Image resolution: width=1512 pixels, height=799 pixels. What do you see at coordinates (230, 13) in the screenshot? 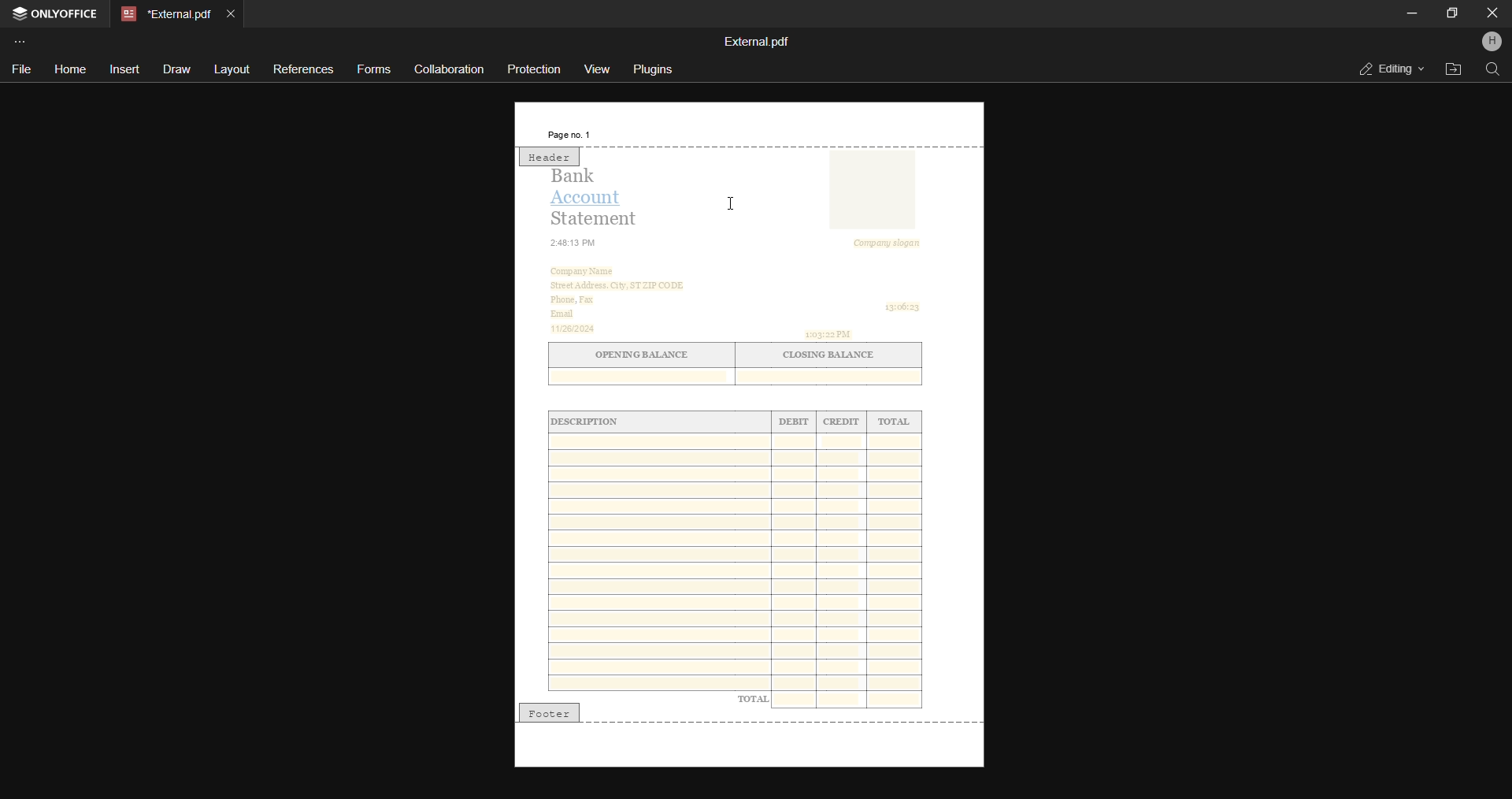
I see `close current tab` at bounding box center [230, 13].